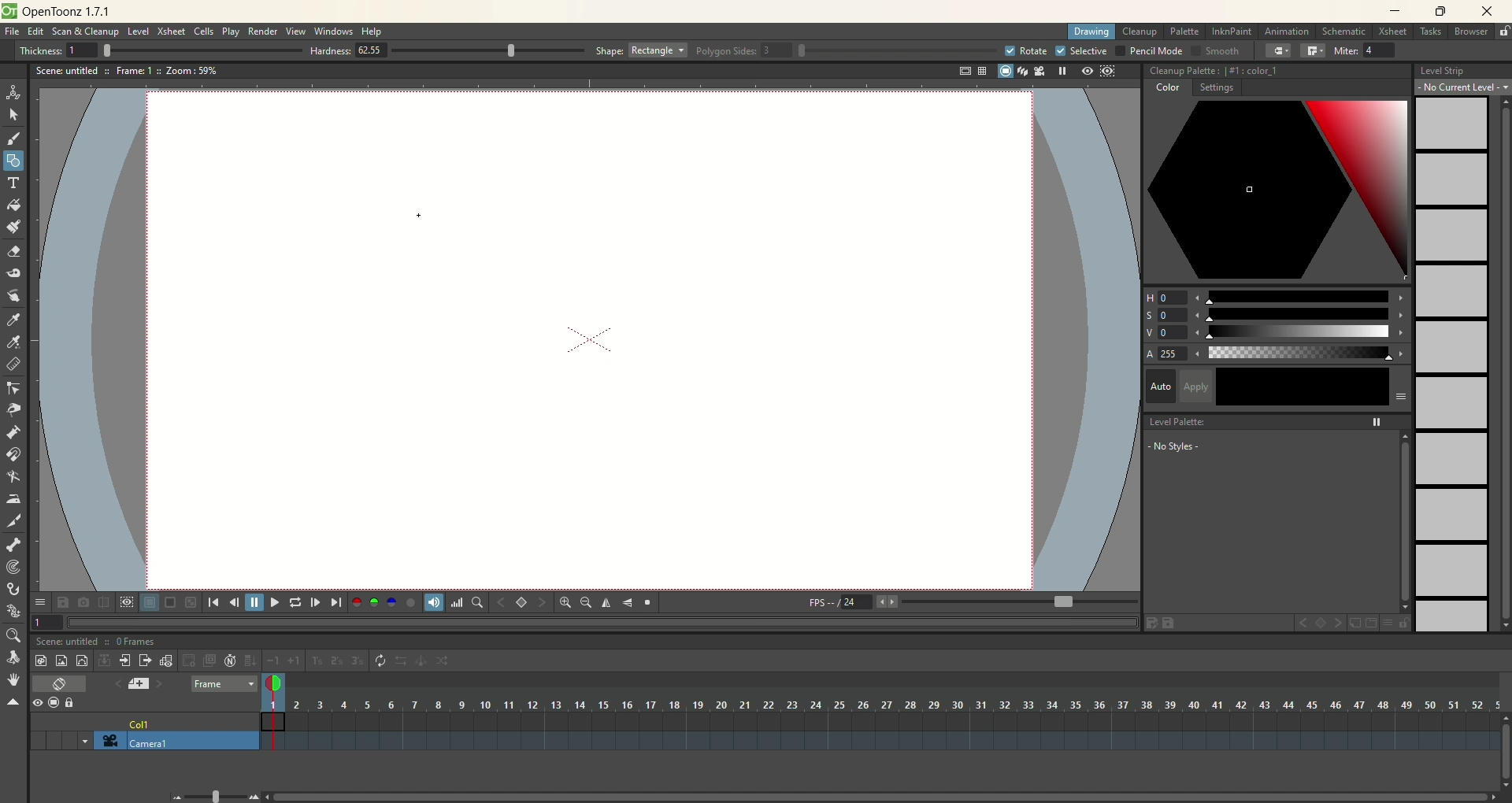 The image size is (1512, 803). I want to click on ruler editor, so click(13, 364).